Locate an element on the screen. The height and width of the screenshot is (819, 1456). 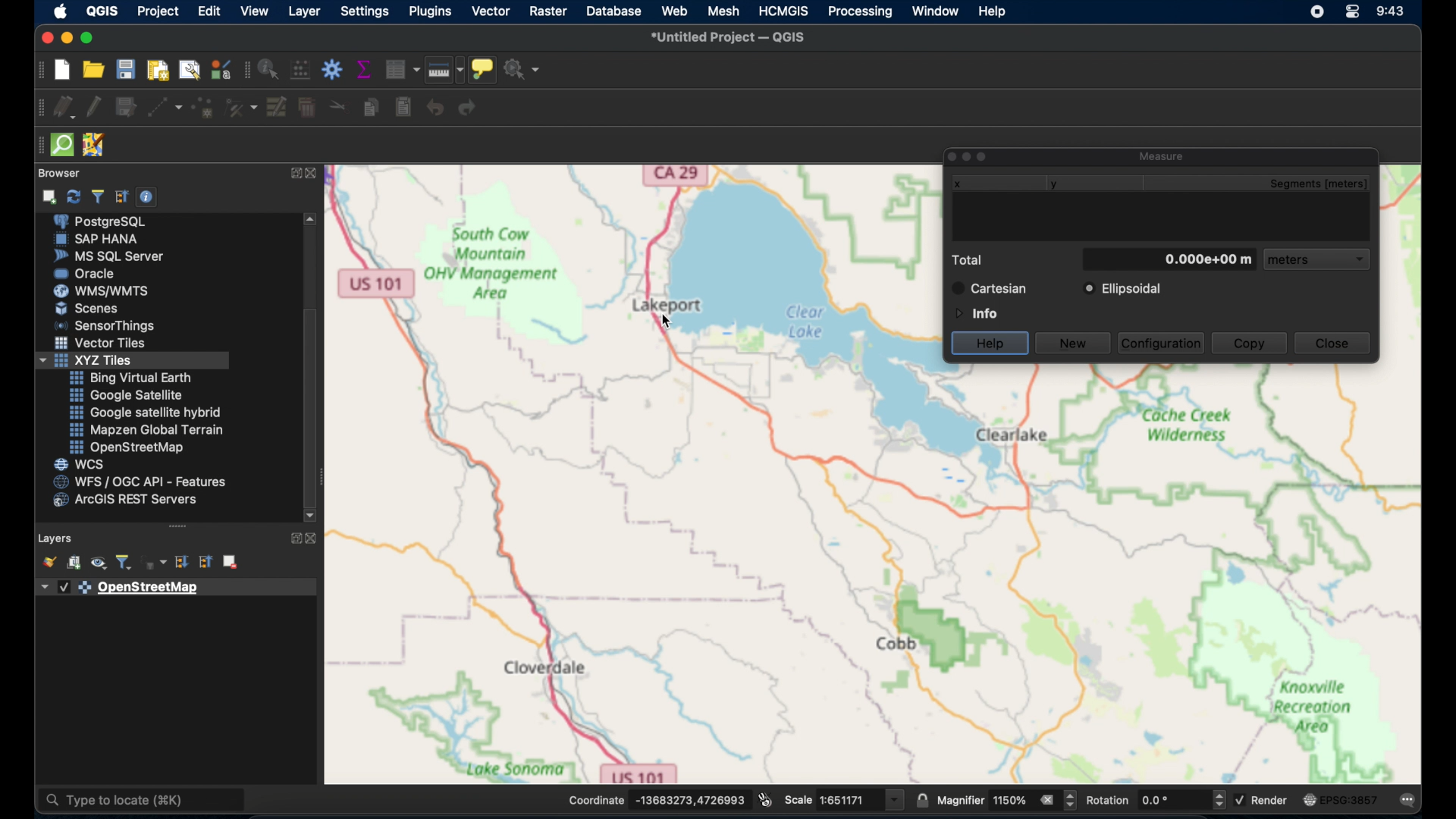
close is located at coordinates (317, 176).